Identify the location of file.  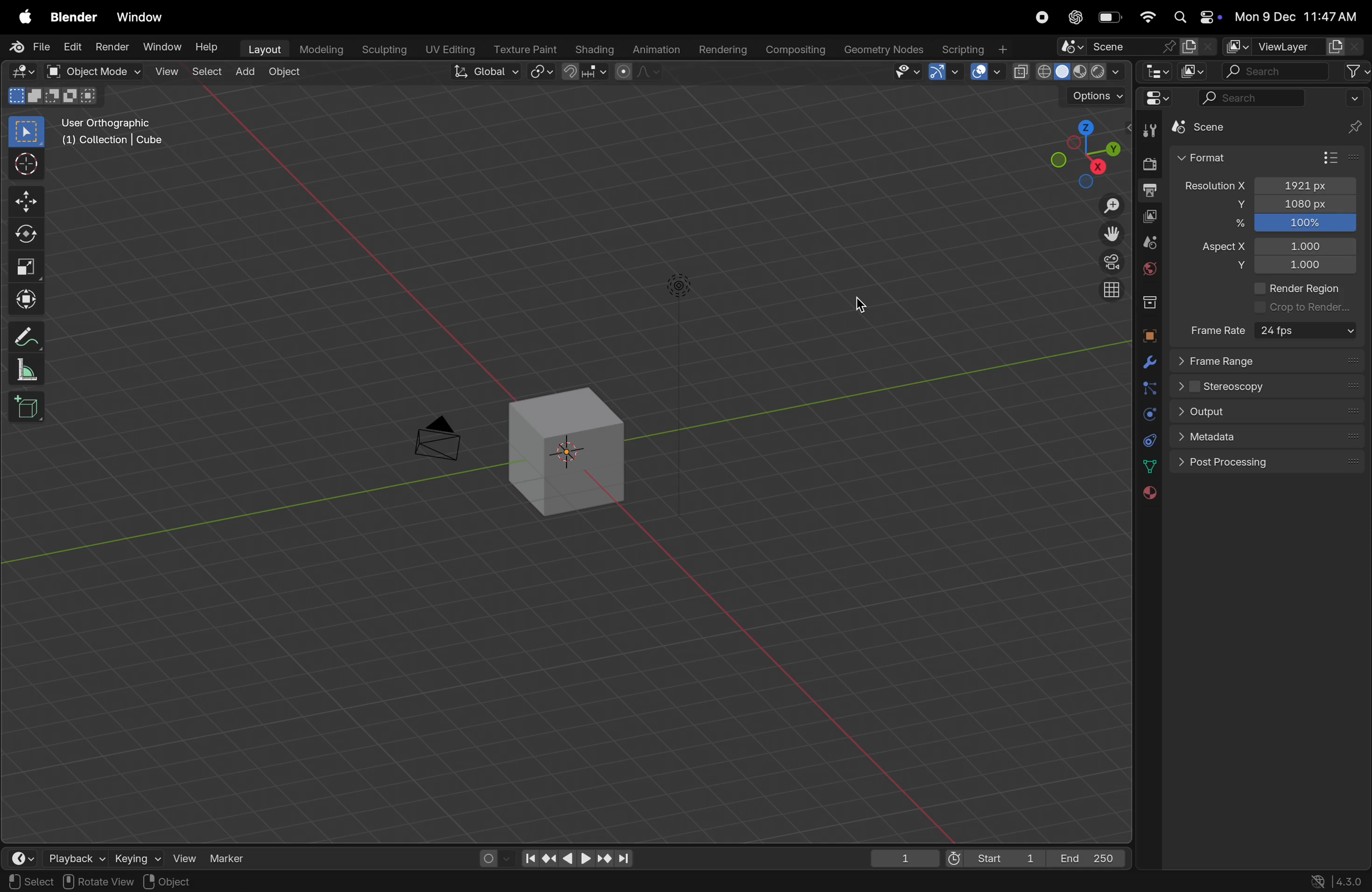
(29, 47).